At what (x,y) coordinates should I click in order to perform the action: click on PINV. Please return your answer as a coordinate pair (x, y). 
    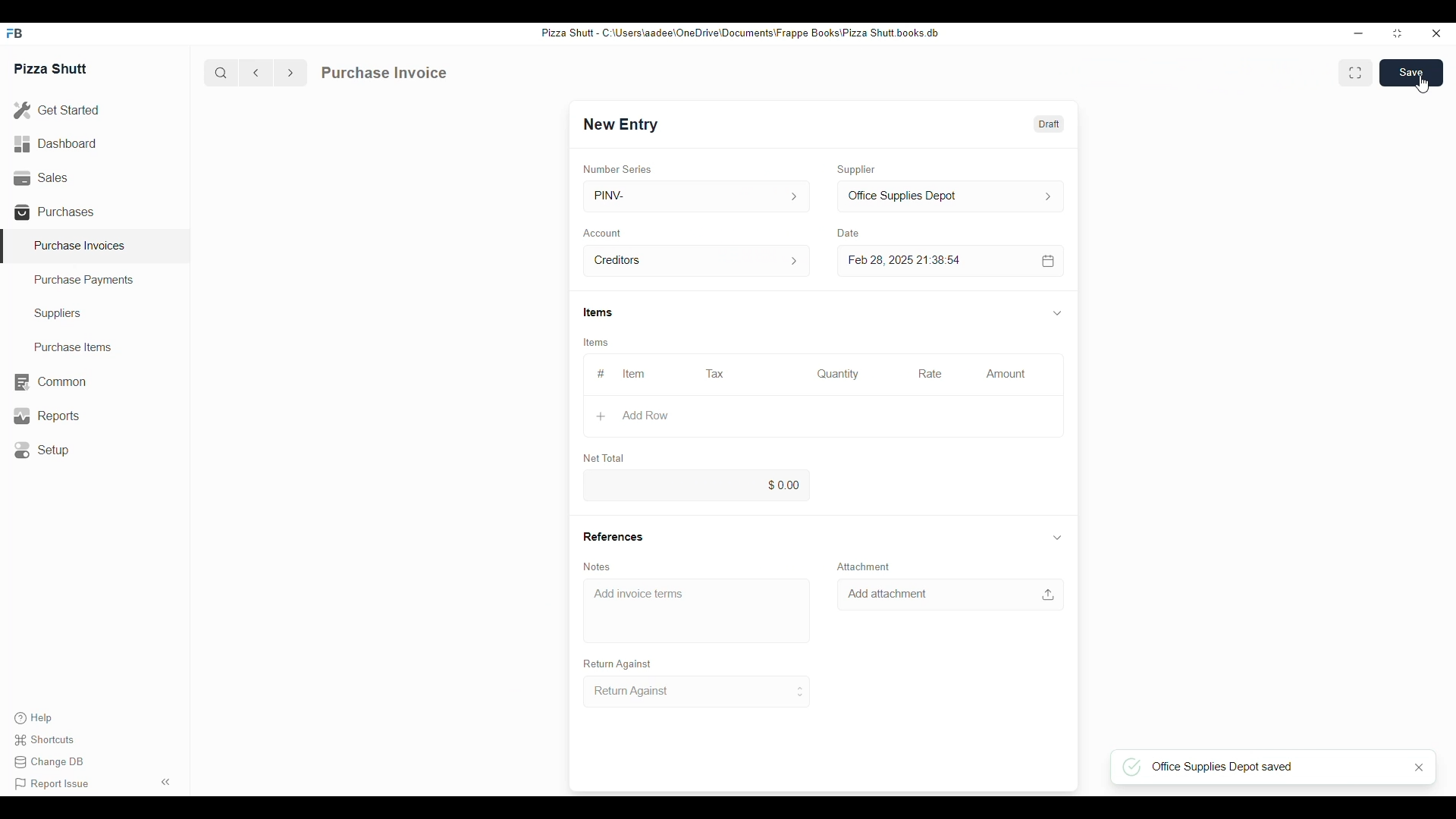
    Looking at the image, I should click on (695, 196).